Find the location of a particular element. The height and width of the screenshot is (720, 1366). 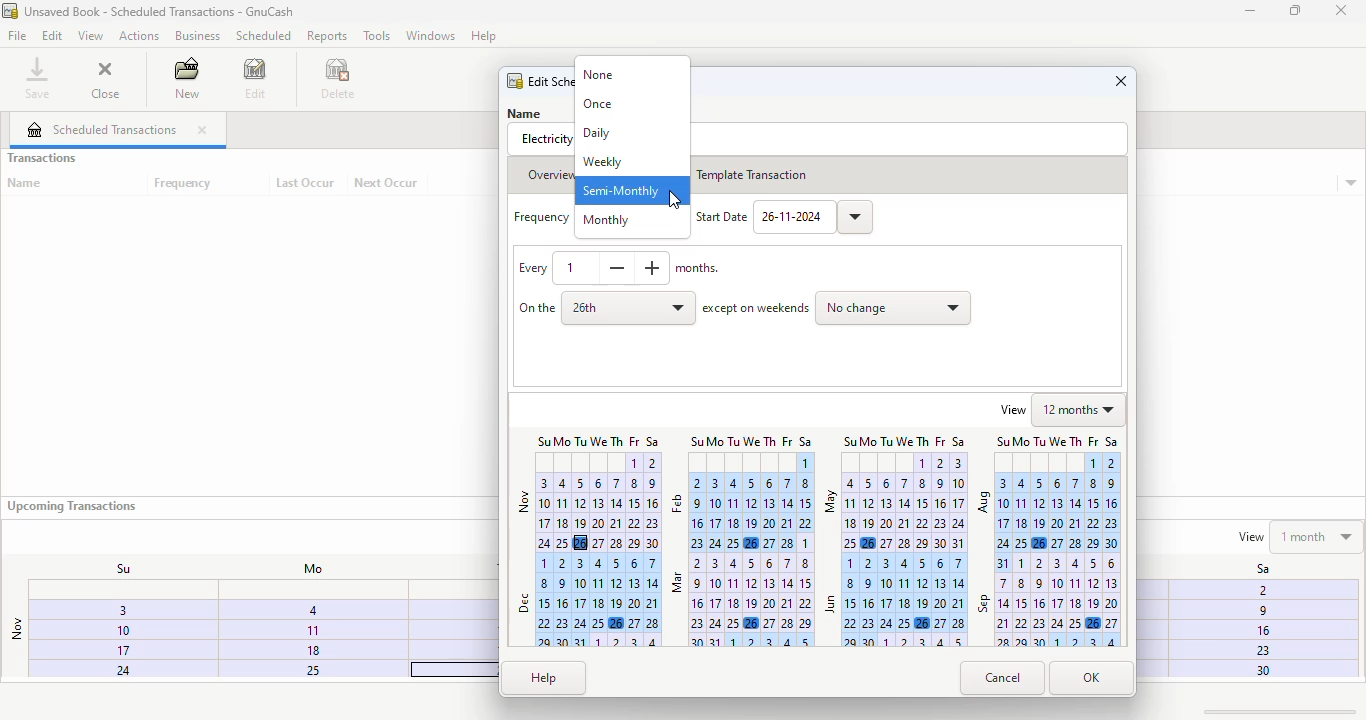

transaction details is located at coordinates (1351, 184).